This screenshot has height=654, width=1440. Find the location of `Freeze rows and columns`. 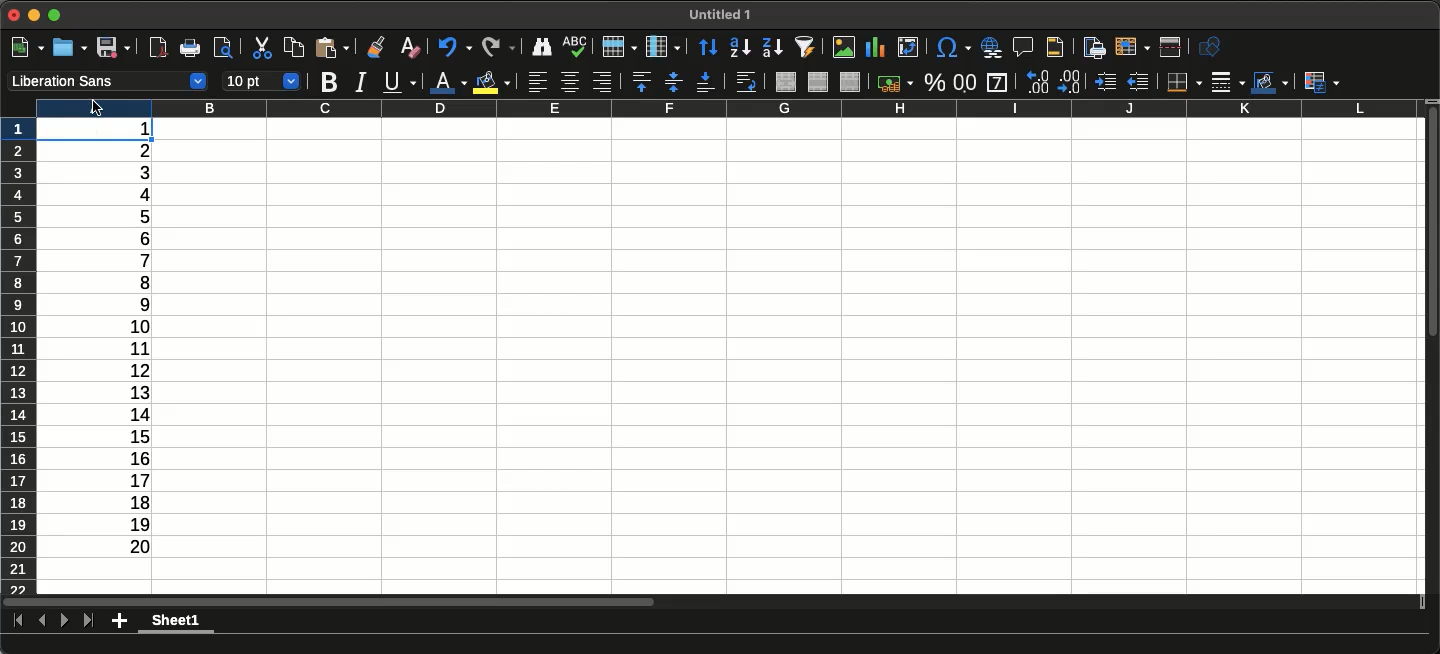

Freeze rows and columns is located at coordinates (1133, 46).